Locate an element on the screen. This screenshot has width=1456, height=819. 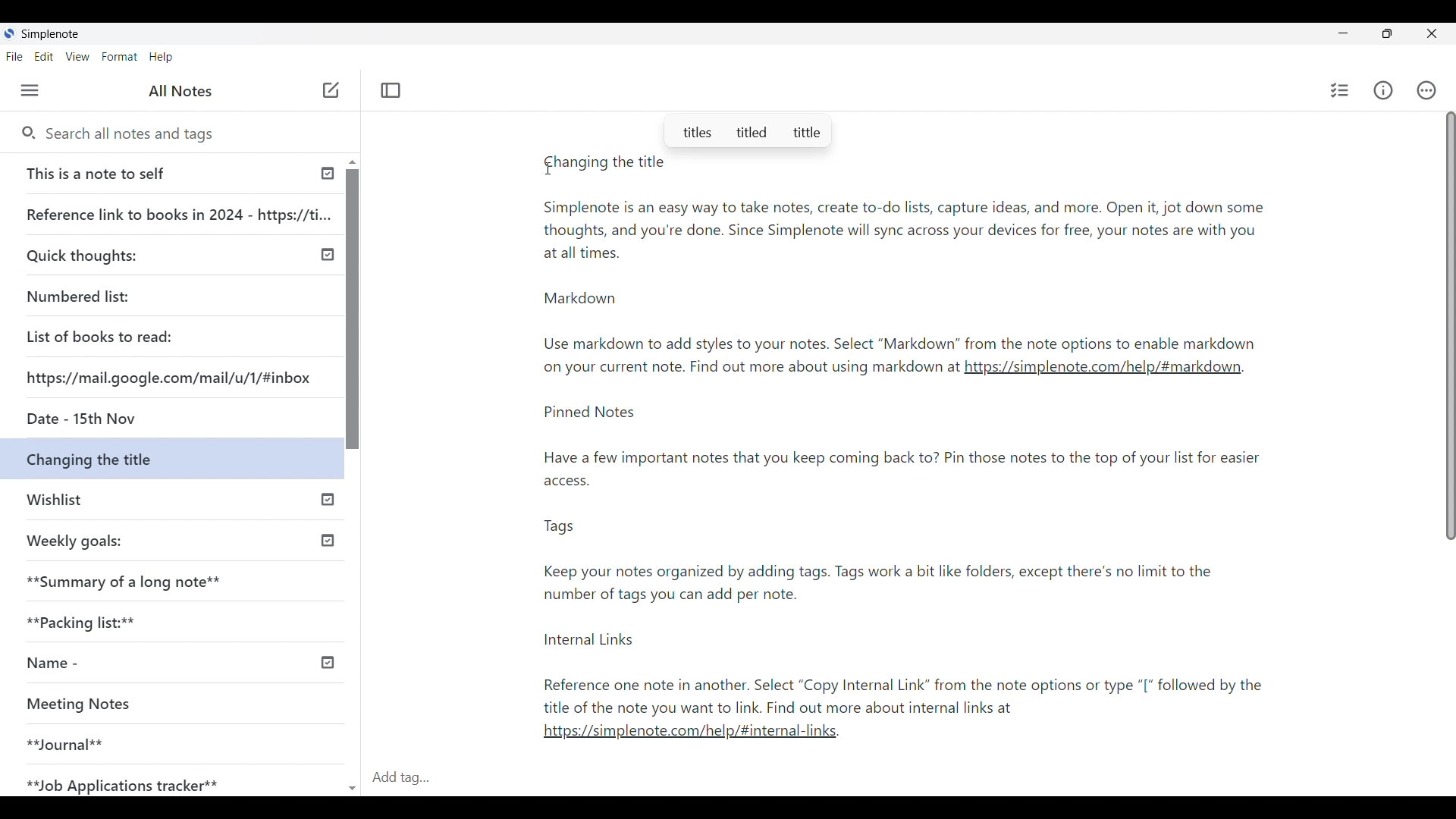
link is located at coordinates (1103, 372).